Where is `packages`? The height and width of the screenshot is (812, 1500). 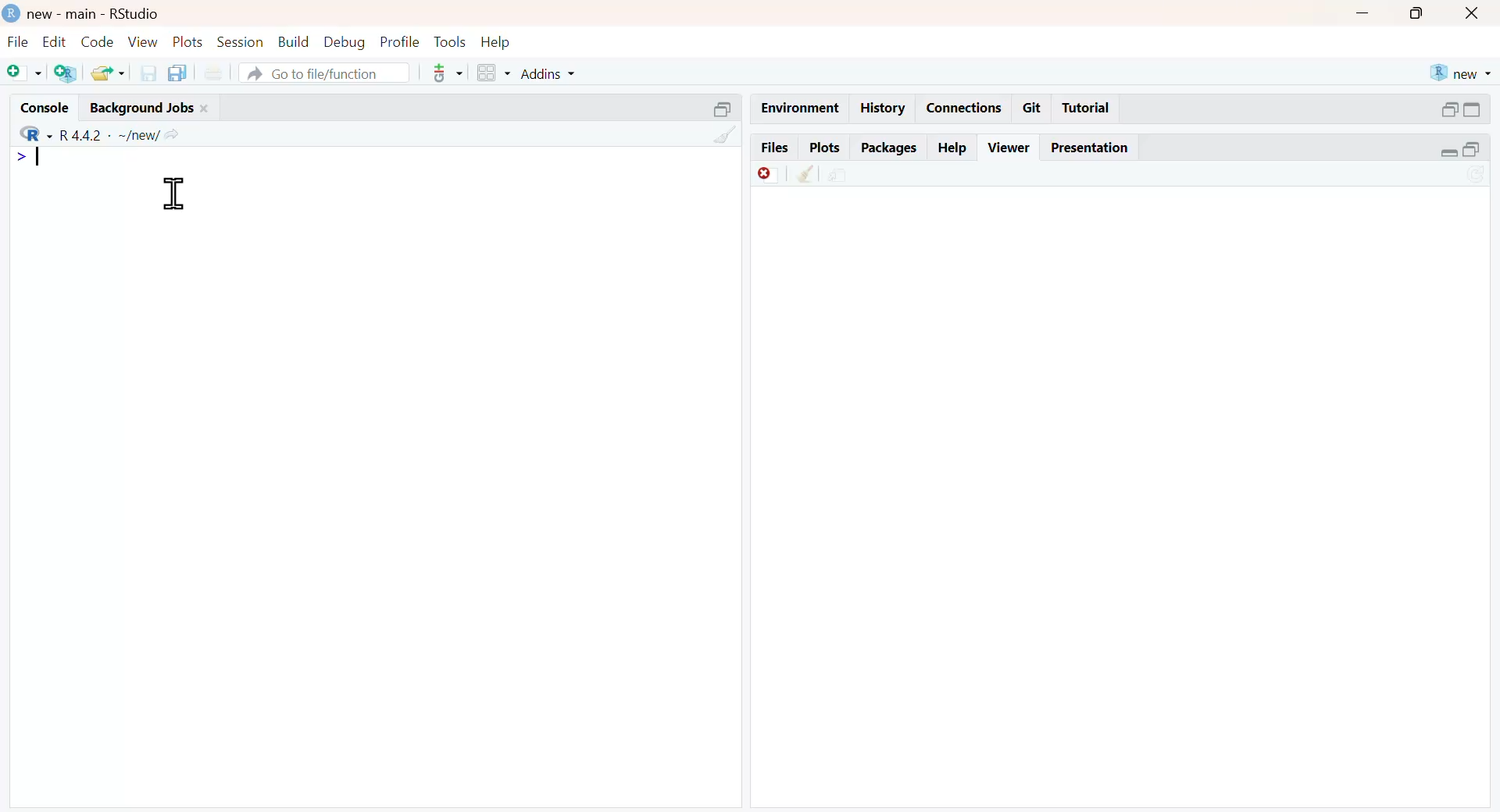 packages is located at coordinates (890, 150).